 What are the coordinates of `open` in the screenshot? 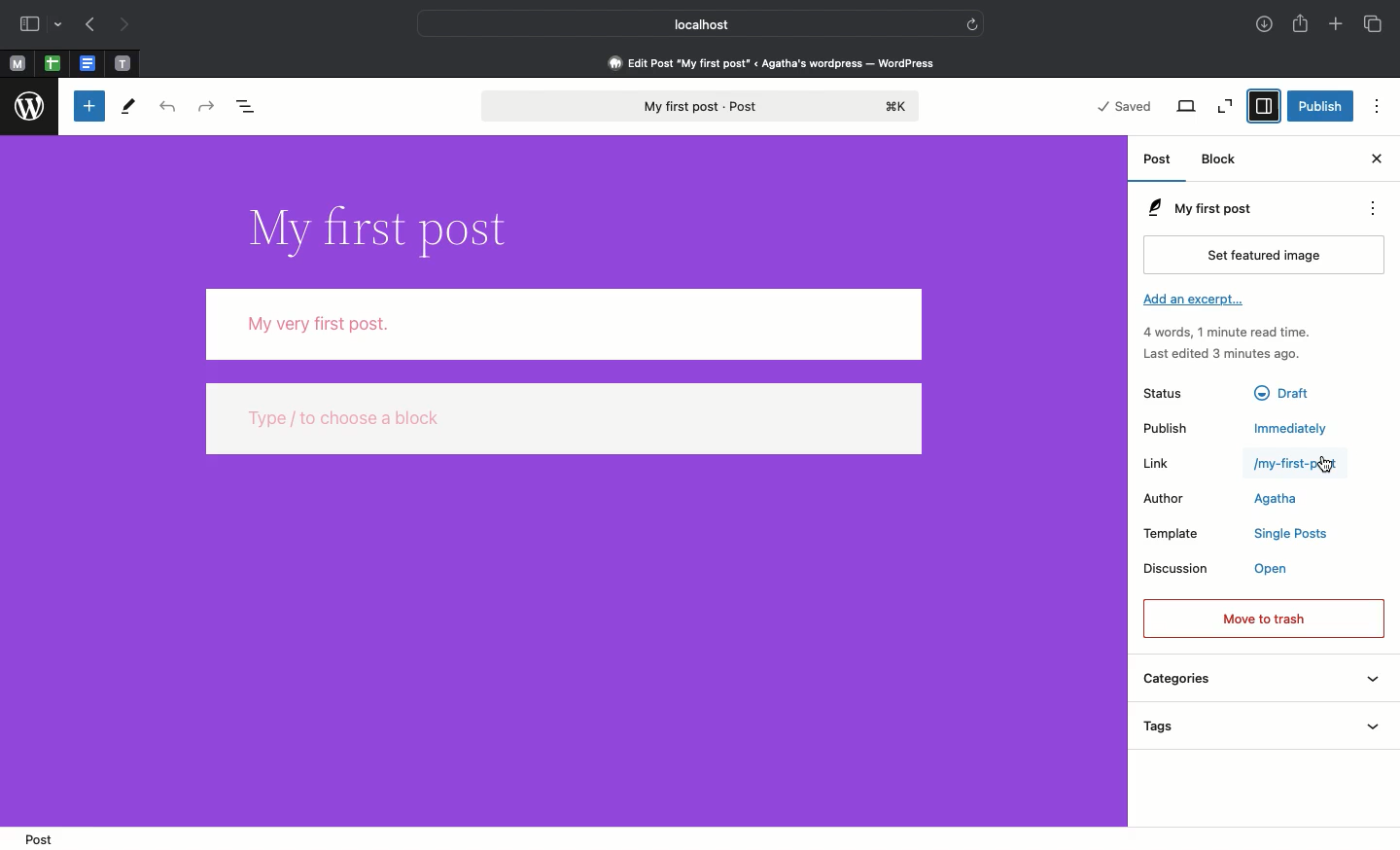 It's located at (1277, 569).